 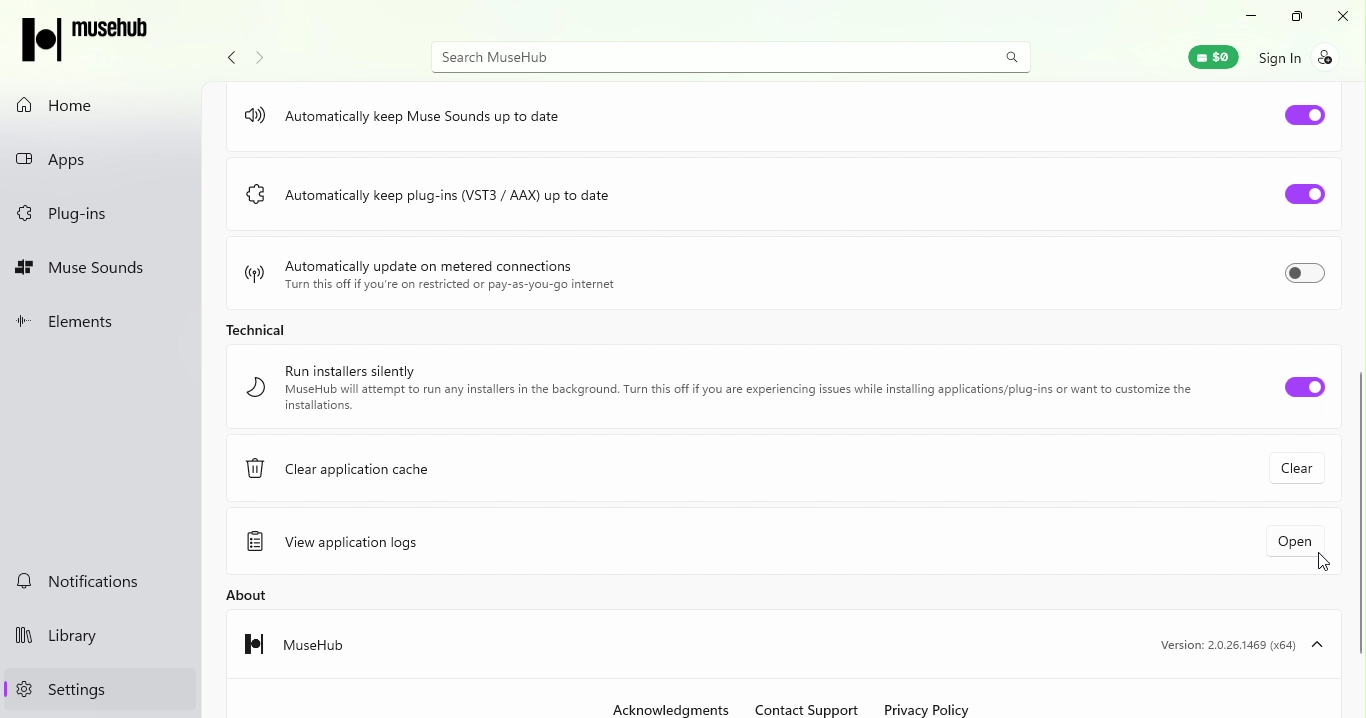 What do you see at coordinates (445, 201) in the screenshot?
I see `Automatically keep plug-ins (VST3/AAX) up to date` at bounding box center [445, 201].